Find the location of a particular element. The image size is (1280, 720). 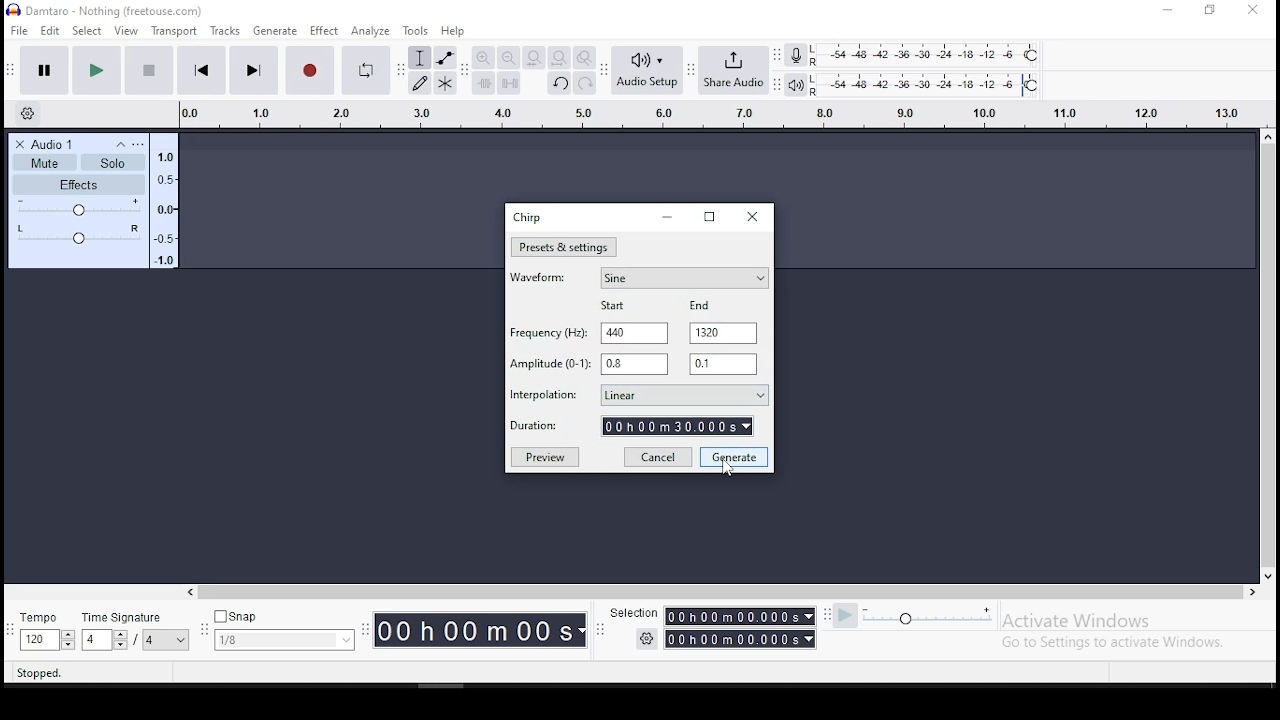

undo is located at coordinates (558, 82).